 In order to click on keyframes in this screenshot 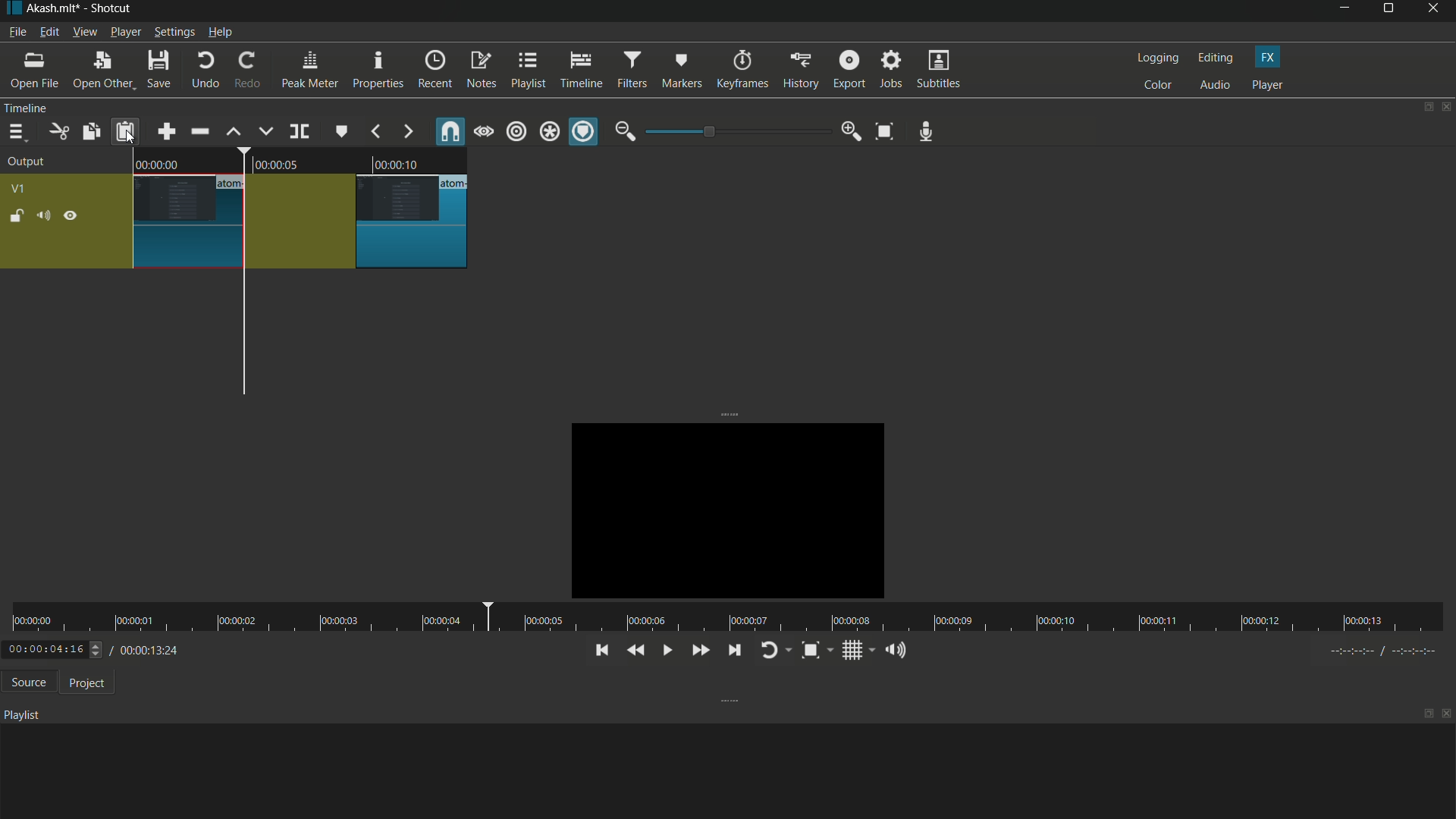, I will do `click(741, 70)`.